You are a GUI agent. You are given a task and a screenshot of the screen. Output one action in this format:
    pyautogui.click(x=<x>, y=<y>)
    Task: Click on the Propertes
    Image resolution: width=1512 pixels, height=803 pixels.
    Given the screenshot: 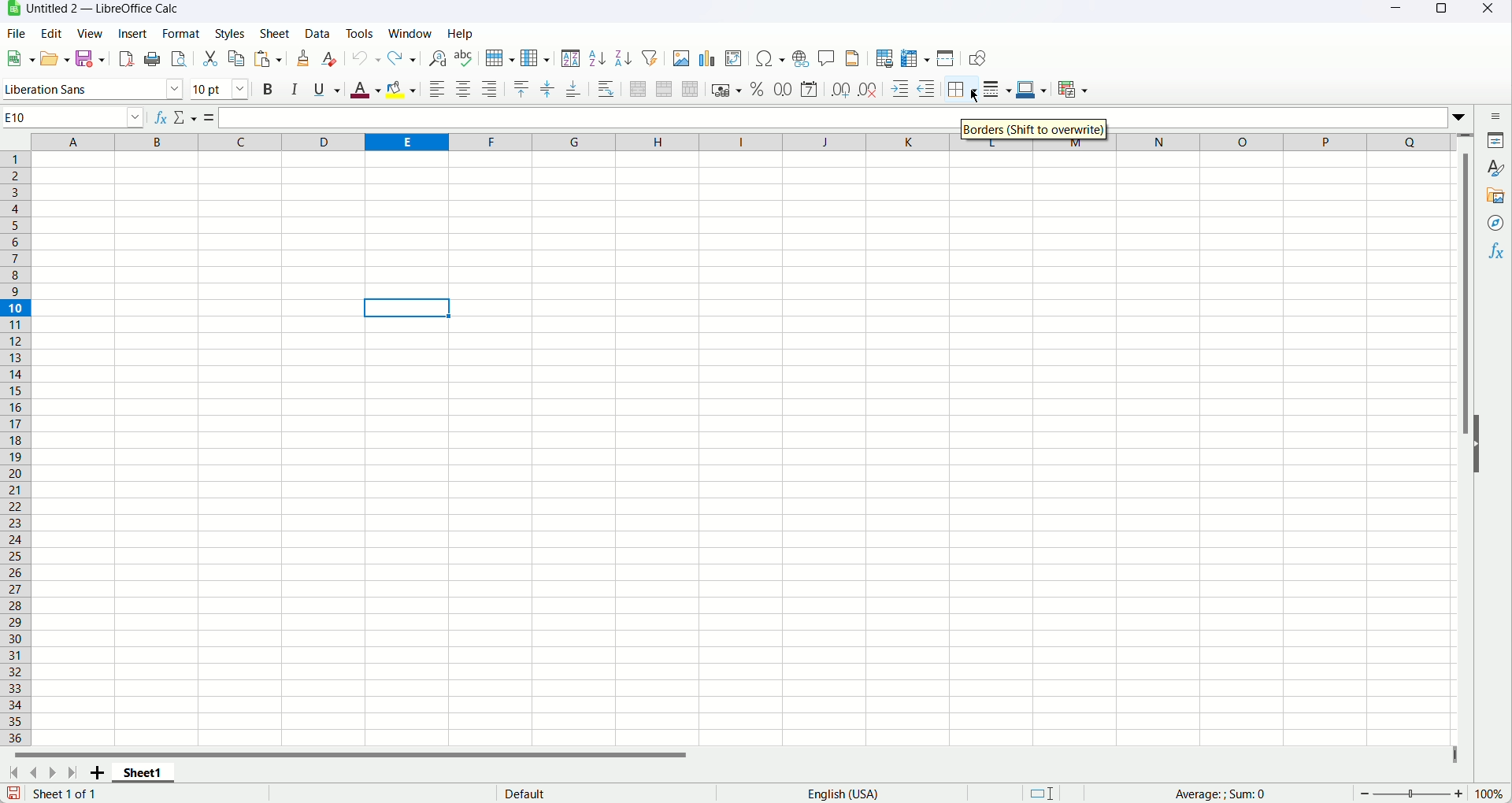 What is the action you would take?
    pyautogui.click(x=1498, y=142)
    